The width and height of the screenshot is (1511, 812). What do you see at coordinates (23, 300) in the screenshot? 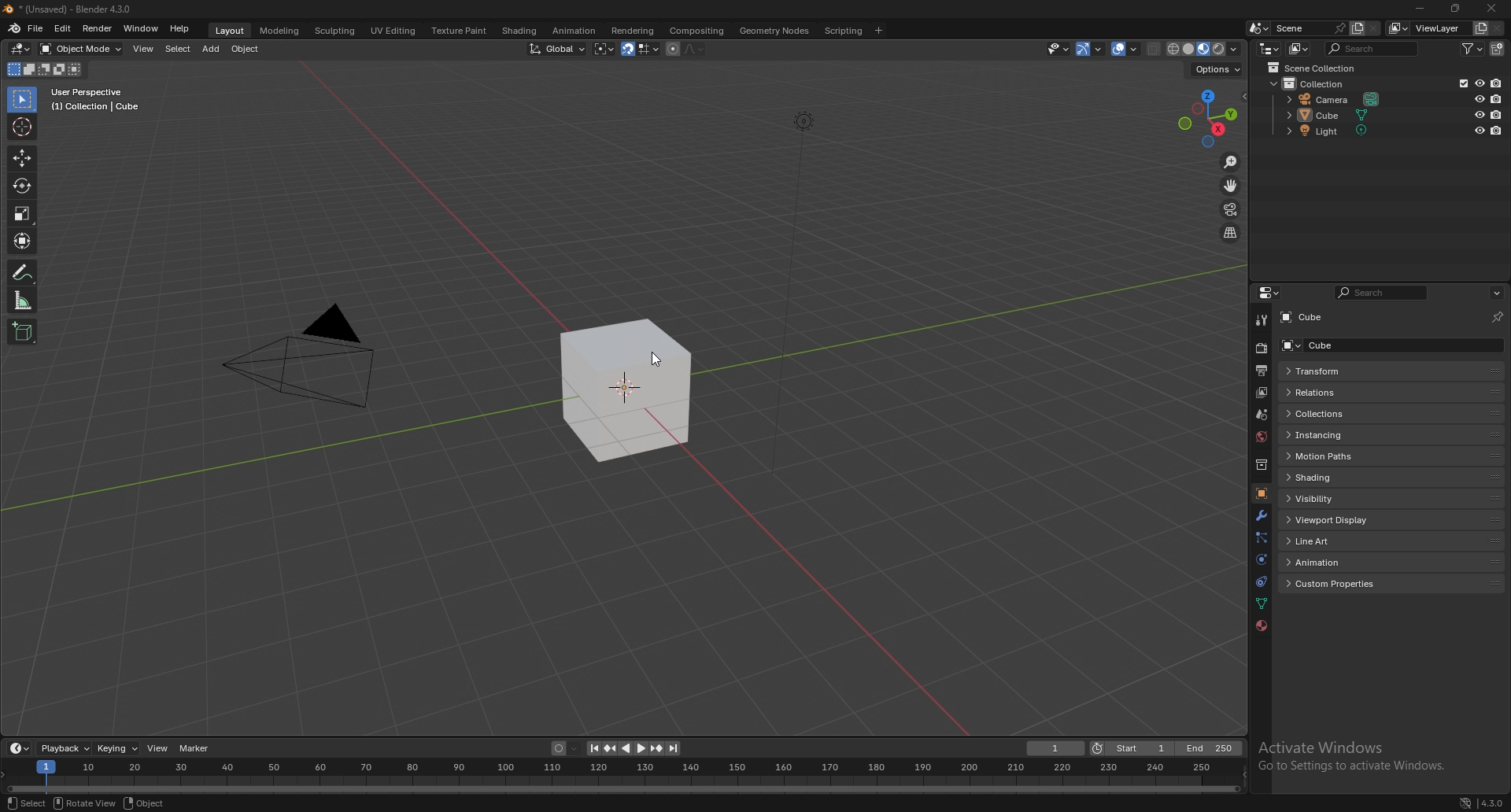
I see `measure` at bounding box center [23, 300].